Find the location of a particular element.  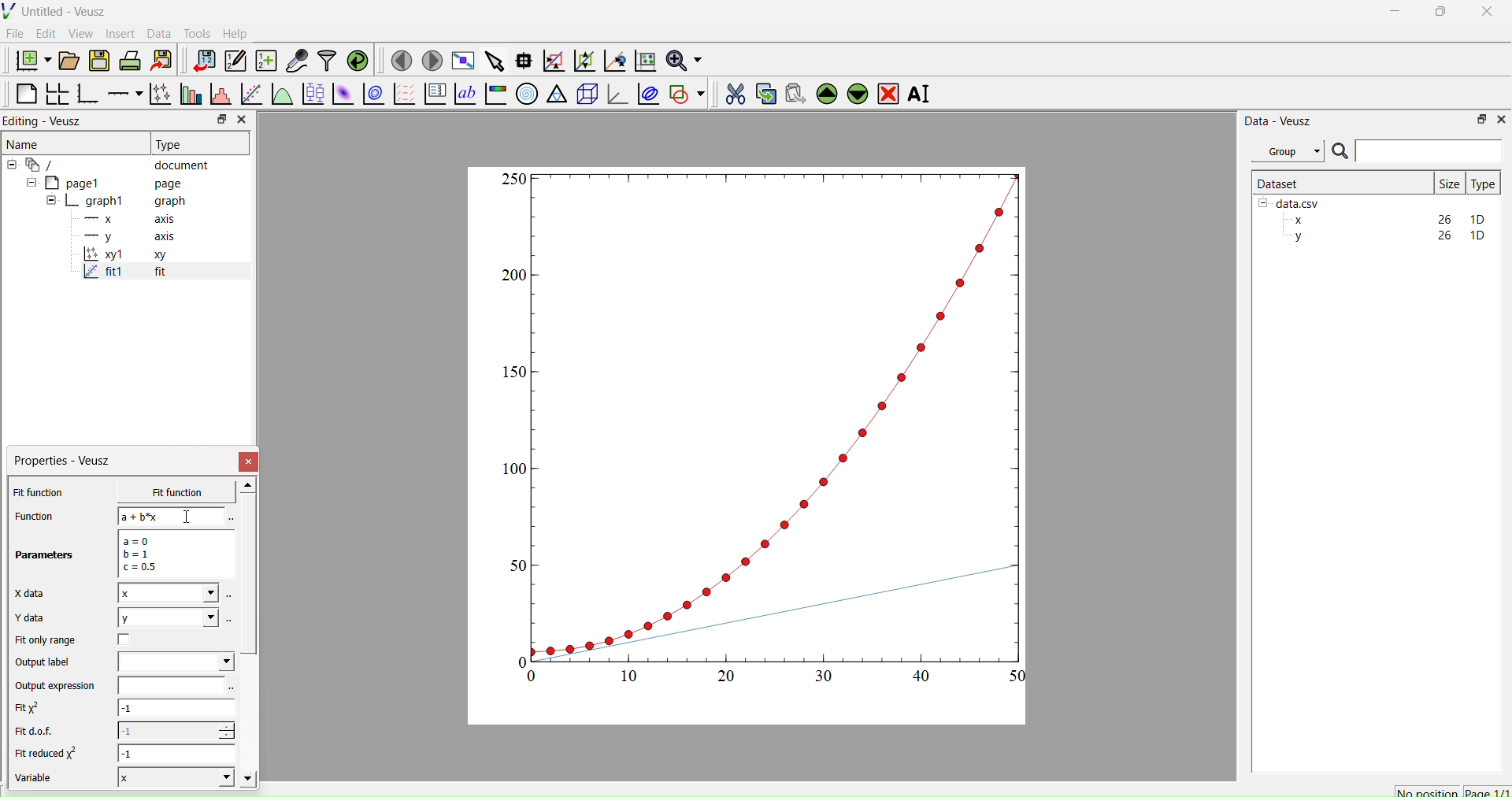

Plot box plots is located at coordinates (313, 94).